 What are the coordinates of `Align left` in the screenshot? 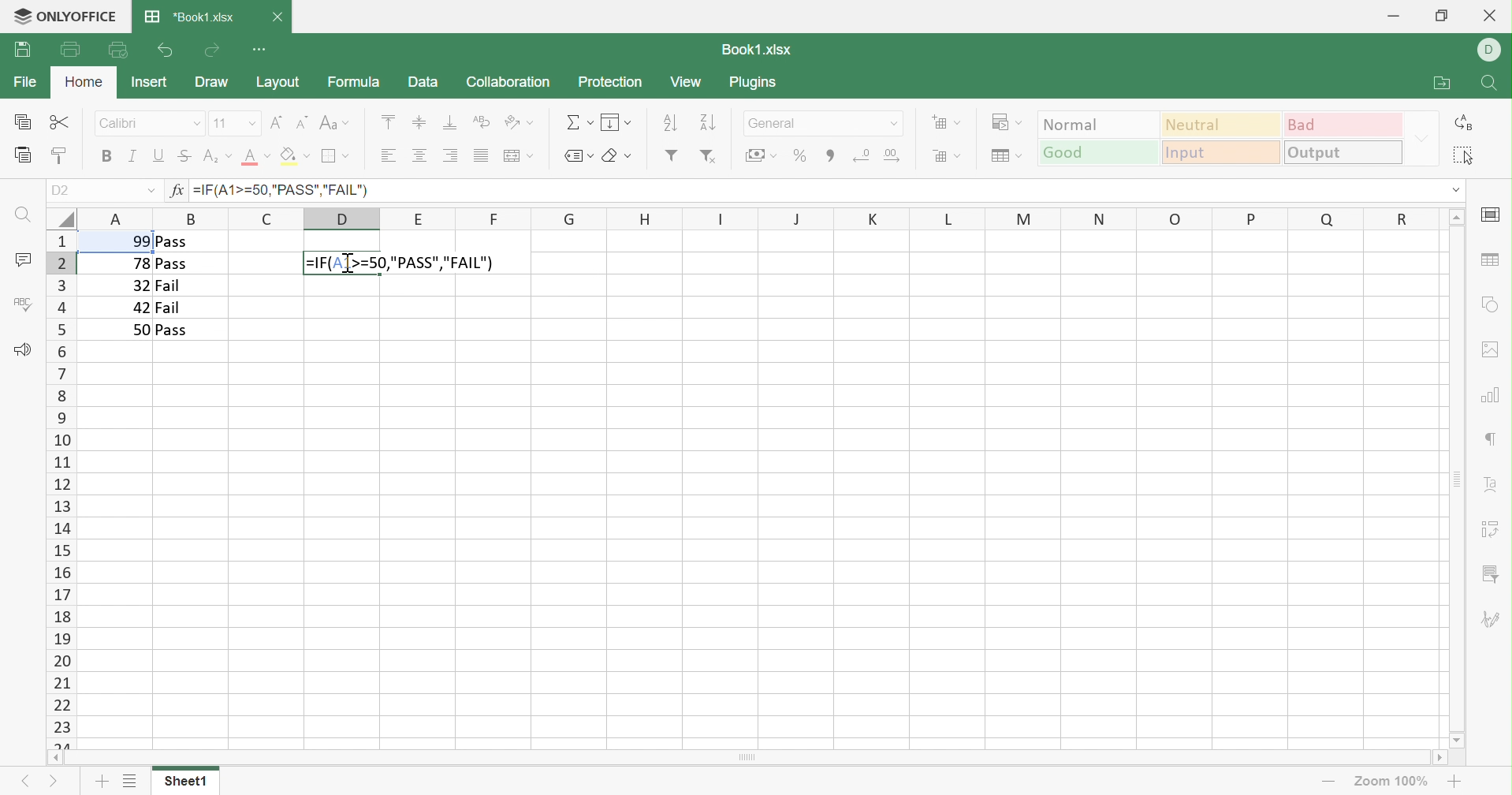 It's located at (386, 156).